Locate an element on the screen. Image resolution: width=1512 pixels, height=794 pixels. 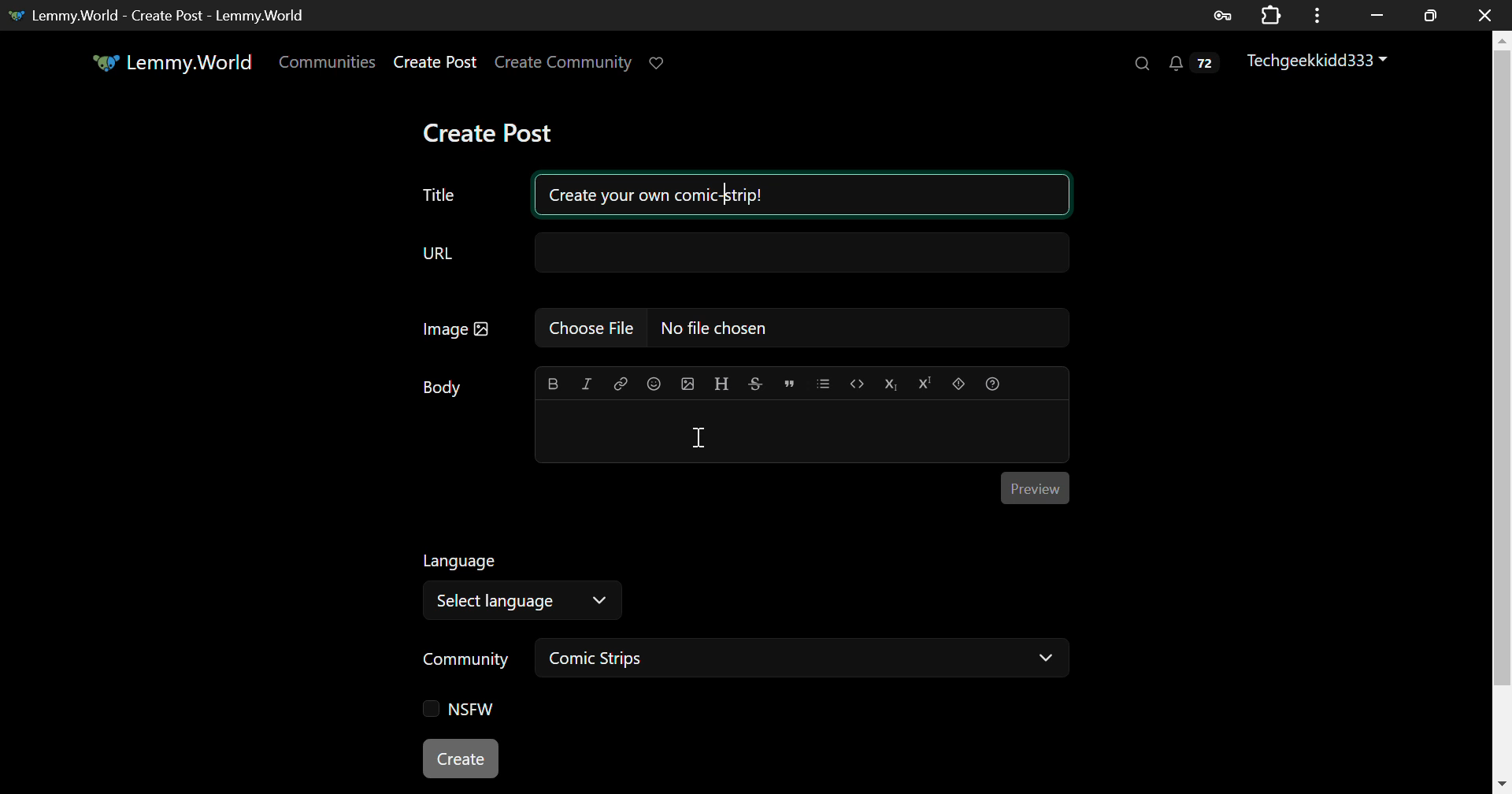
Create Post Page Hyperlink is located at coordinates (439, 61).